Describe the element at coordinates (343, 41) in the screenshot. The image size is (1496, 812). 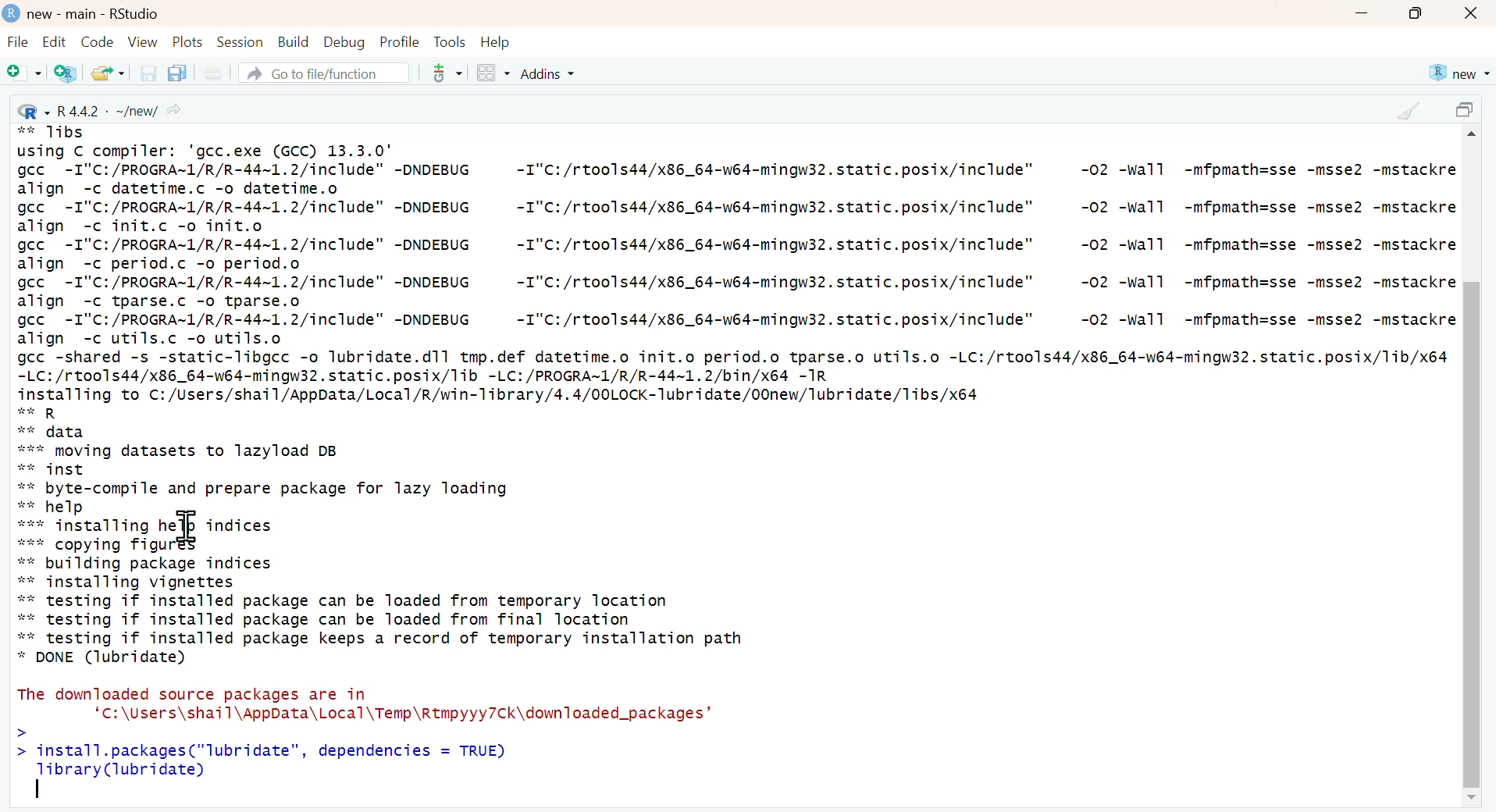
I see `Debug` at that location.